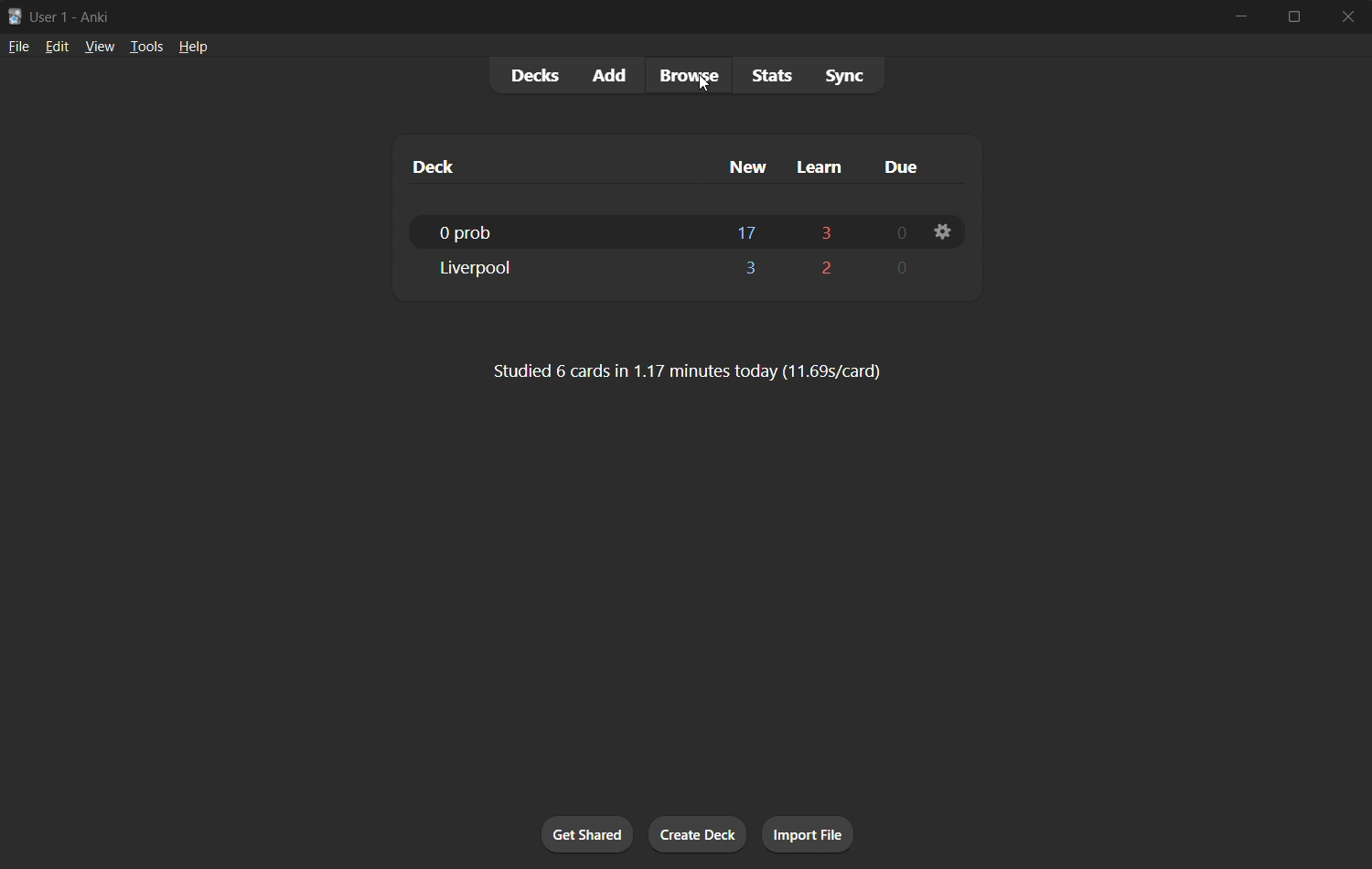 The width and height of the screenshot is (1372, 869). I want to click on 0 prob deck data, so click(558, 232).